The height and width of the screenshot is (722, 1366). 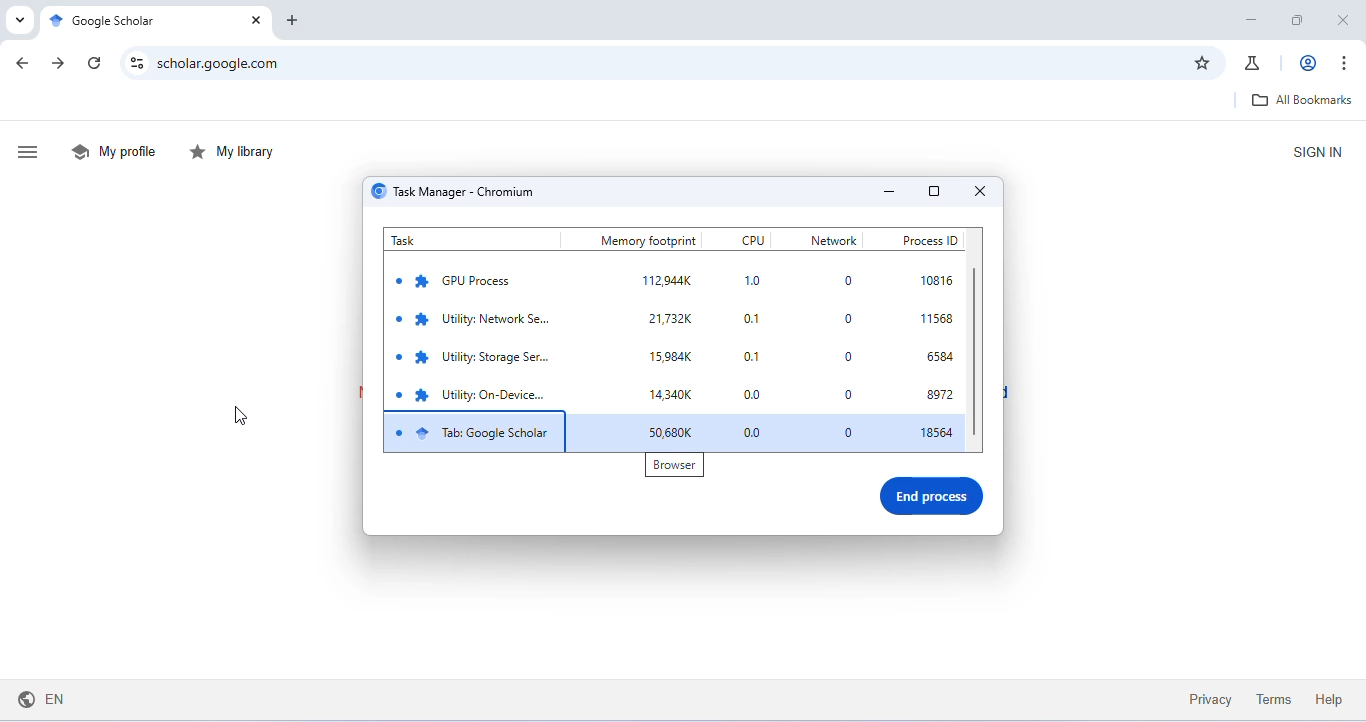 What do you see at coordinates (941, 394) in the screenshot?
I see `8972` at bounding box center [941, 394].